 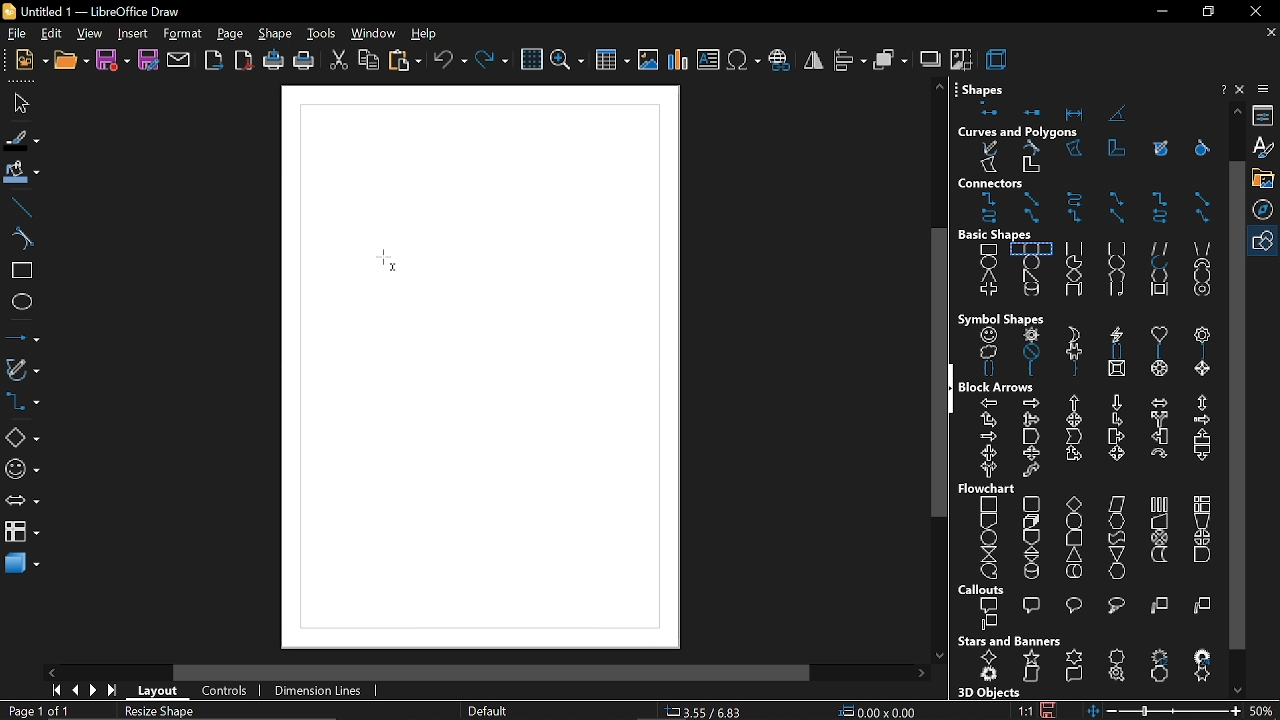 What do you see at coordinates (929, 58) in the screenshot?
I see `shadow` at bounding box center [929, 58].